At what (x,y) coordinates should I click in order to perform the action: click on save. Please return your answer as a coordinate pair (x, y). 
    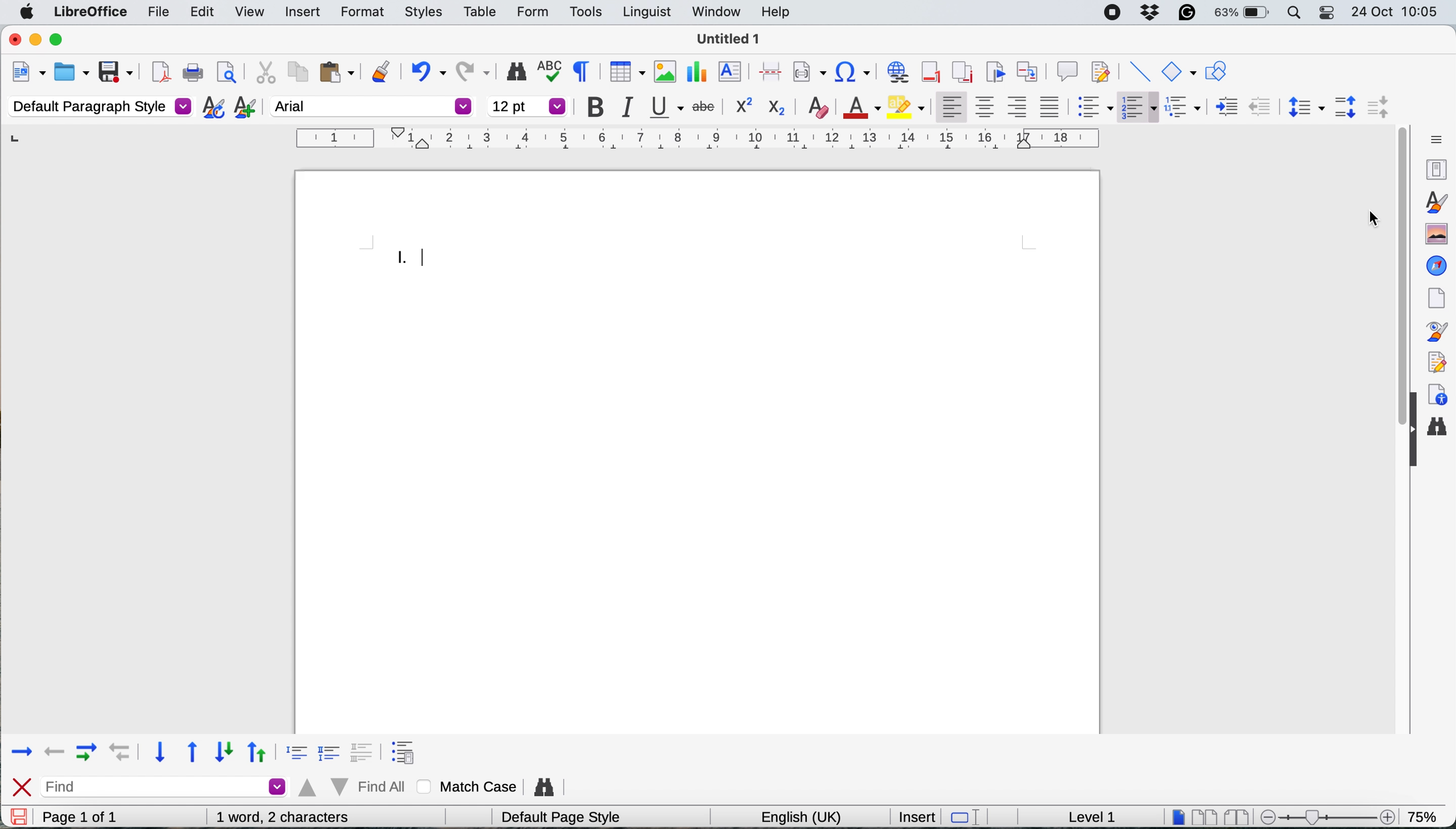
    Looking at the image, I should click on (18, 816).